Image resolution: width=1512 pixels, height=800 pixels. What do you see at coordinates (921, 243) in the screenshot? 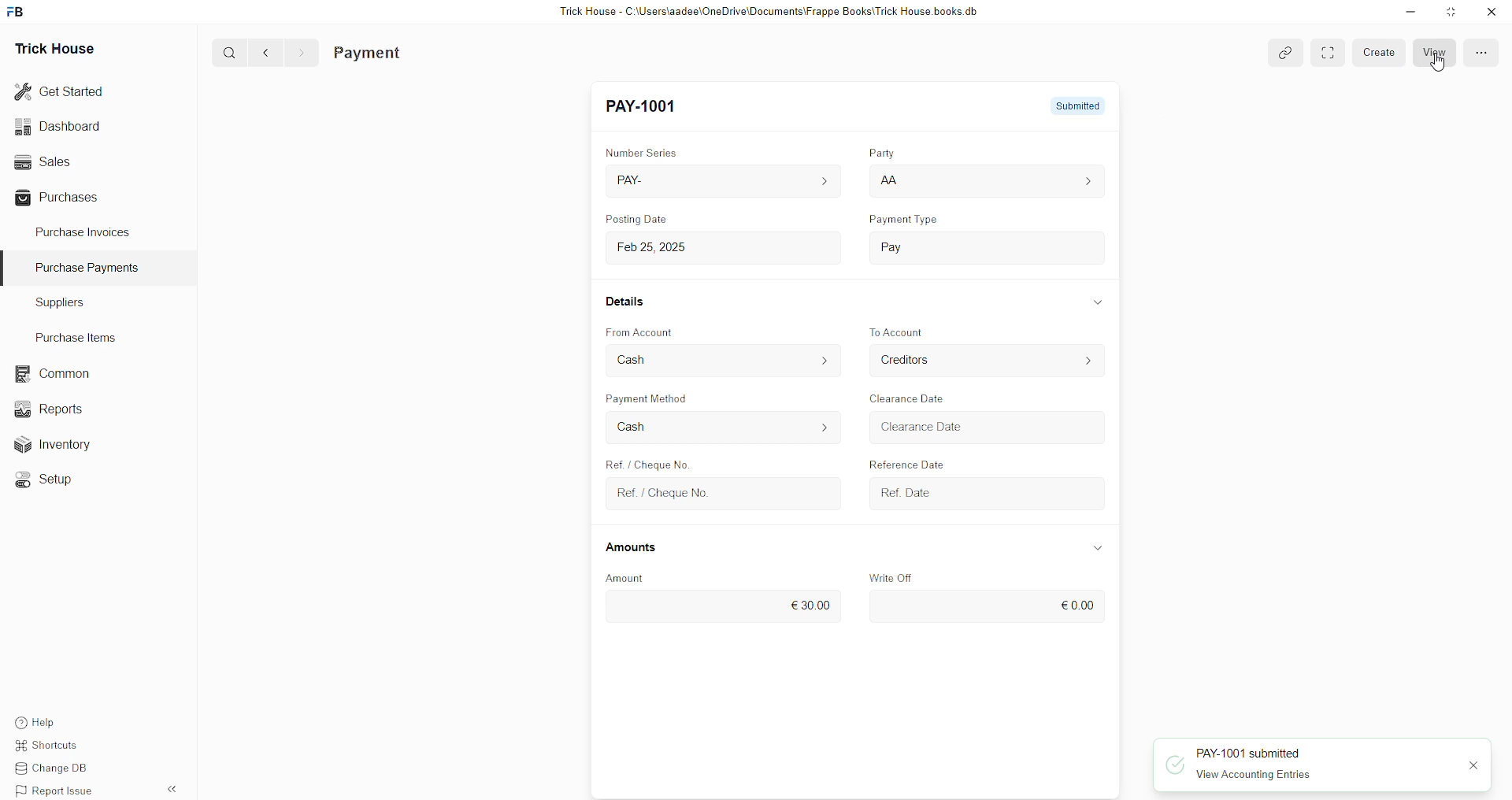
I see `Pay` at bounding box center [921, 243].